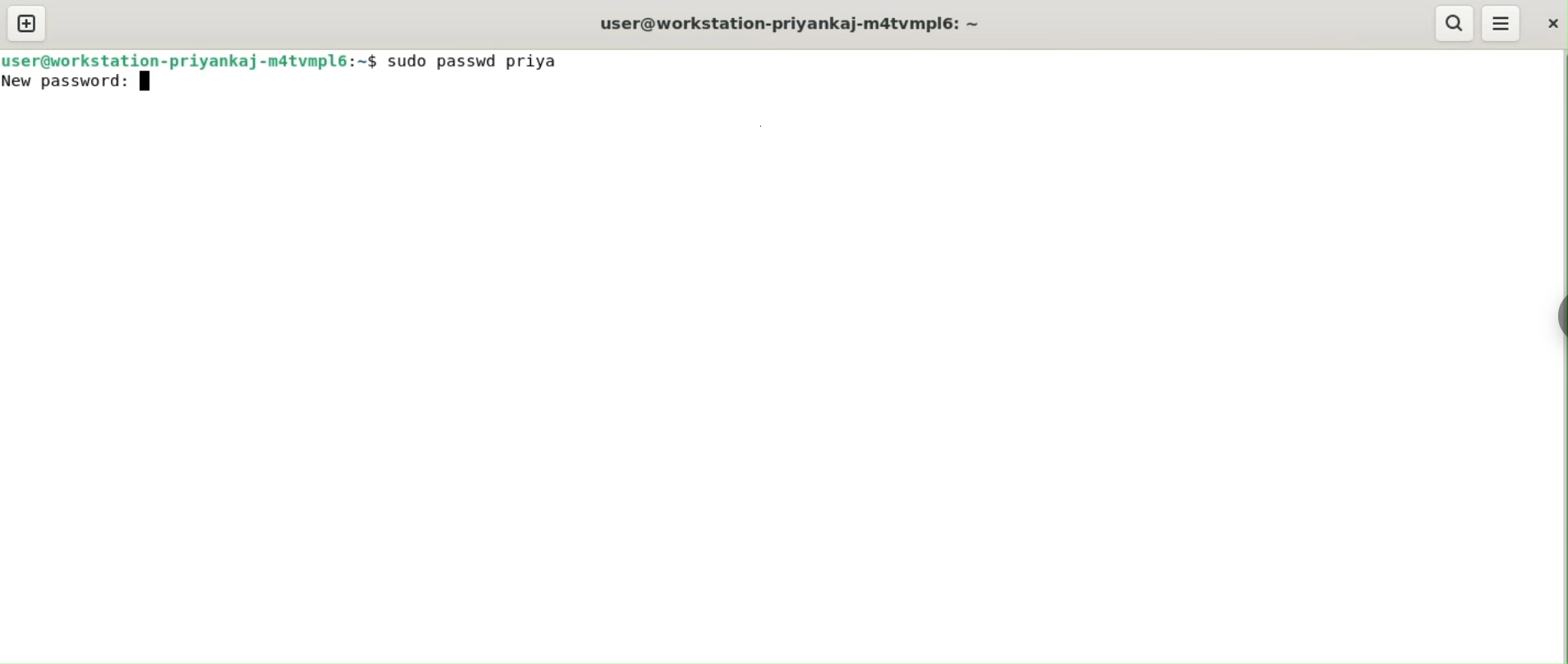 This screenshot has width=1568, height=664. Describe the element at coordinates (789, 20) in the screenshot. I see `user@workstation-priyankaj-m4tvmpl6:-` at that location.